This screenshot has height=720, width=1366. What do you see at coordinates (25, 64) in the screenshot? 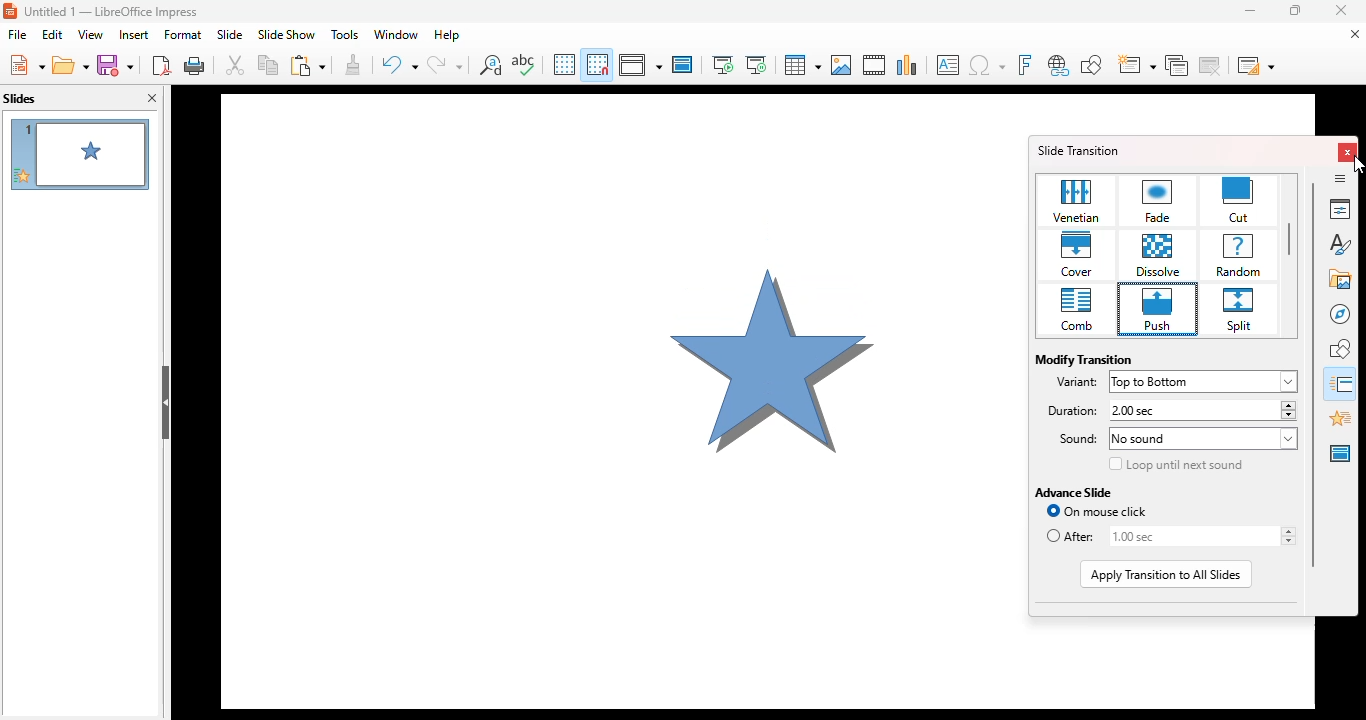
I see `new` at bounding box center [25, 64].